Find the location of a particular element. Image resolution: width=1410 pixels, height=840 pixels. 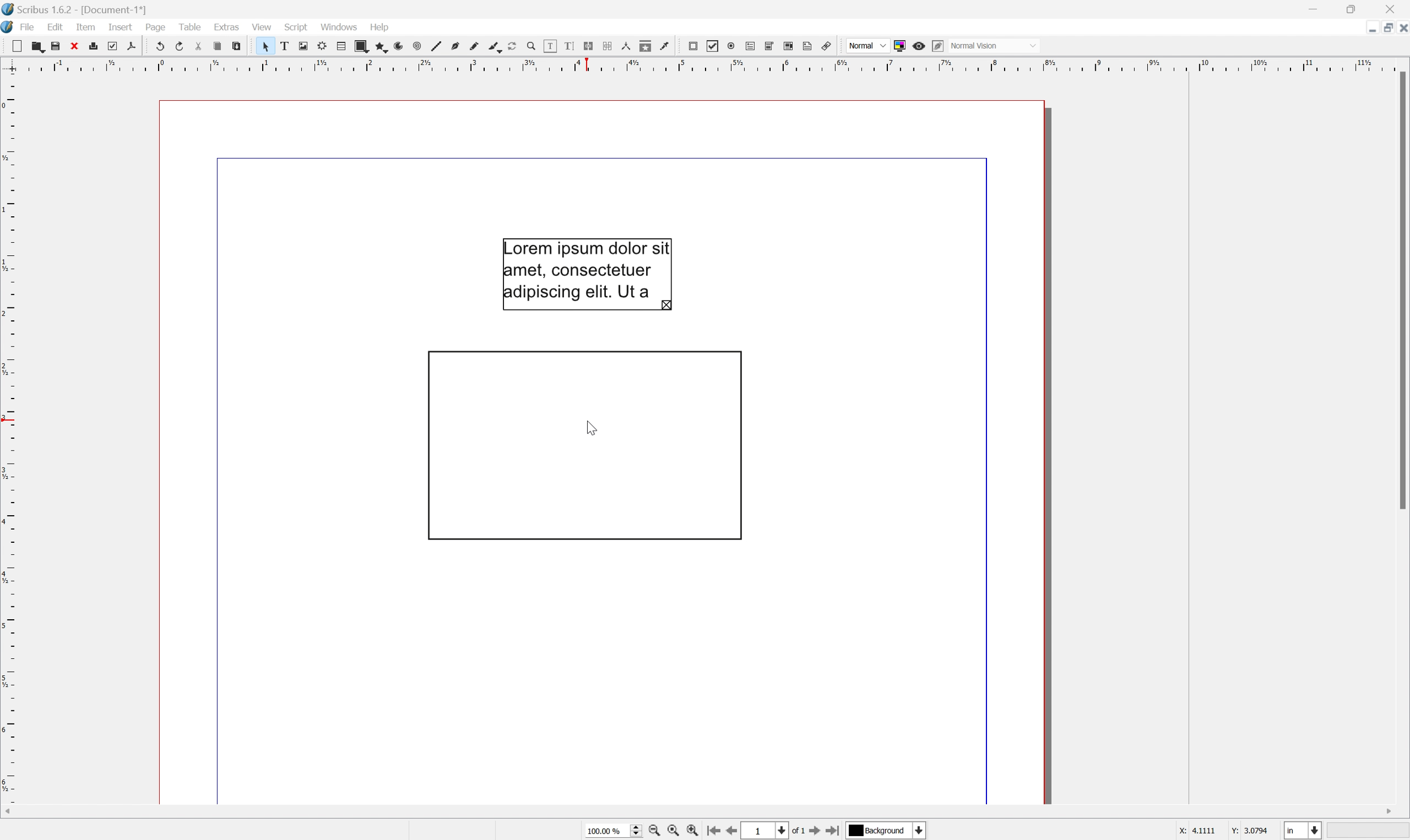

PDF push button is located at coordinates (694, 46).